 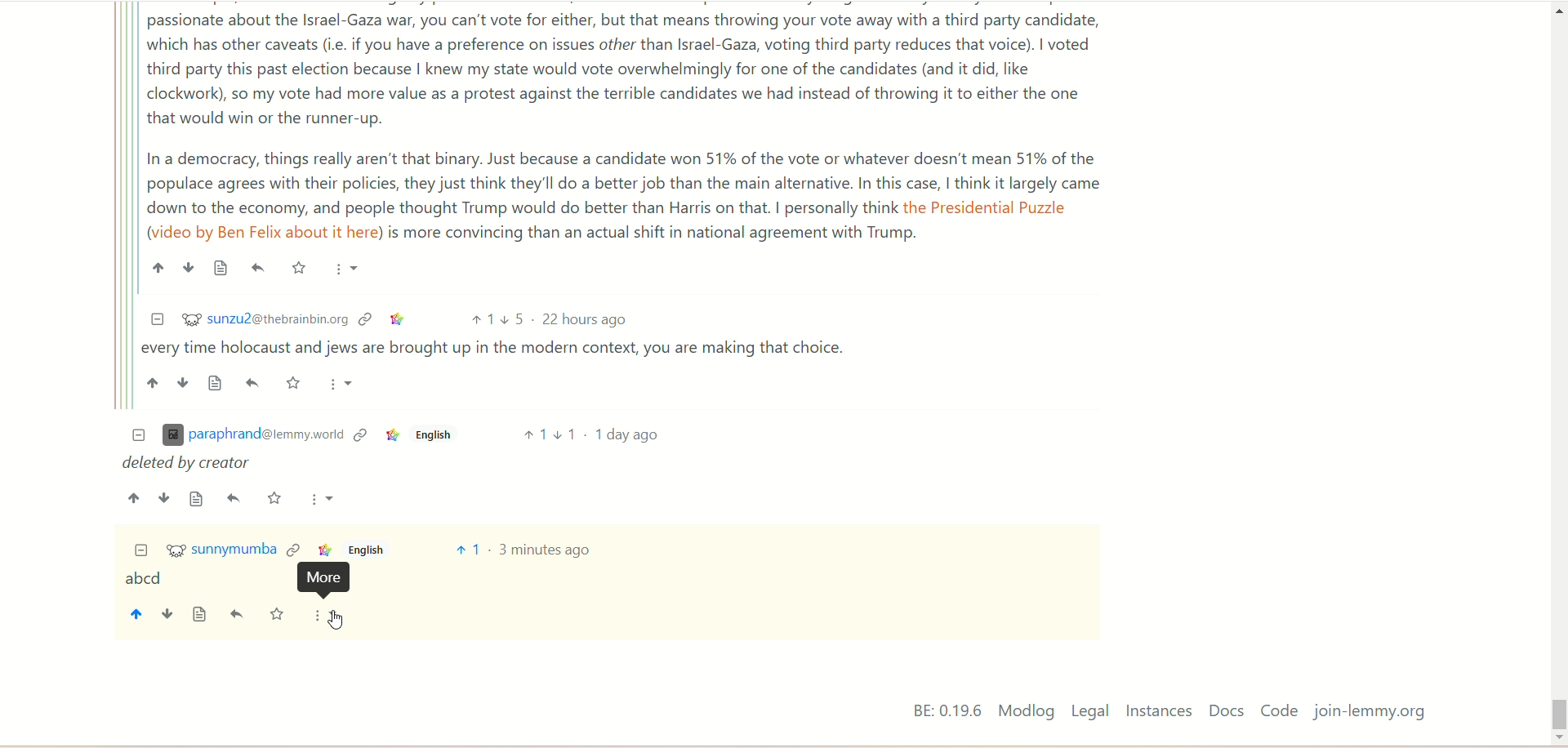 I want to click on Legal, so click(x=1090, y=710).